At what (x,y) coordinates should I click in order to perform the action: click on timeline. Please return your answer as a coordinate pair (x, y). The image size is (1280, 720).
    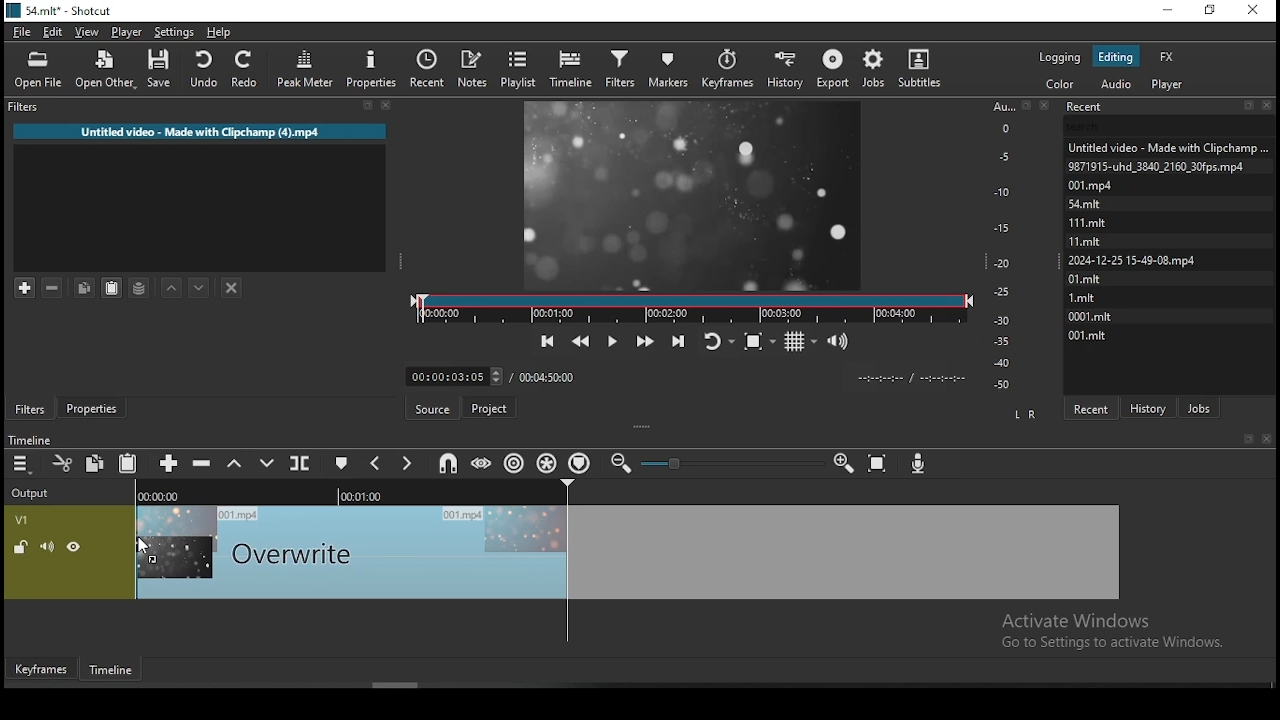
    Looking at the image, I should click on (27, 439).